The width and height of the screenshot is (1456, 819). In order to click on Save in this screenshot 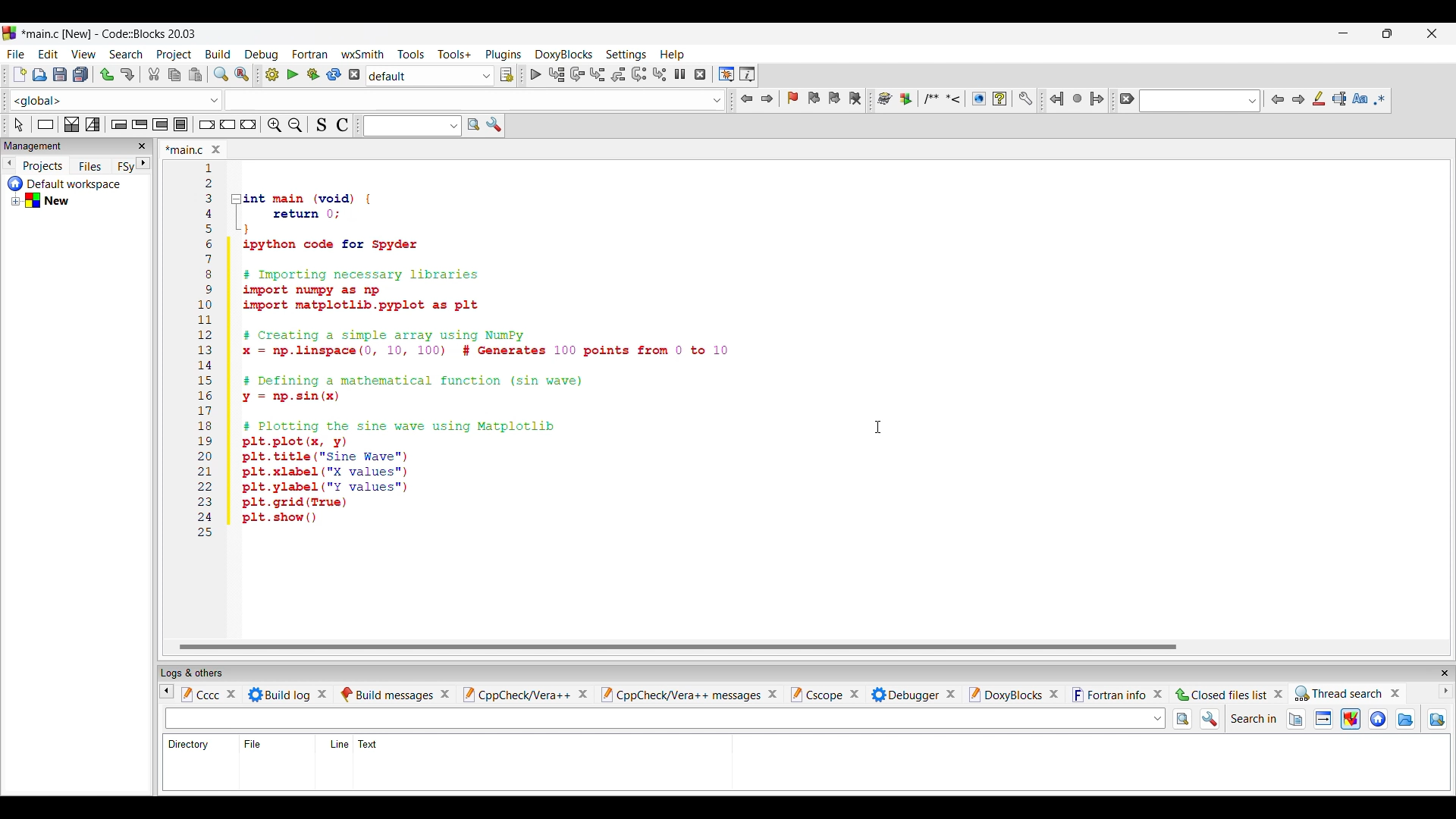, I will do `click(60, 74)`.